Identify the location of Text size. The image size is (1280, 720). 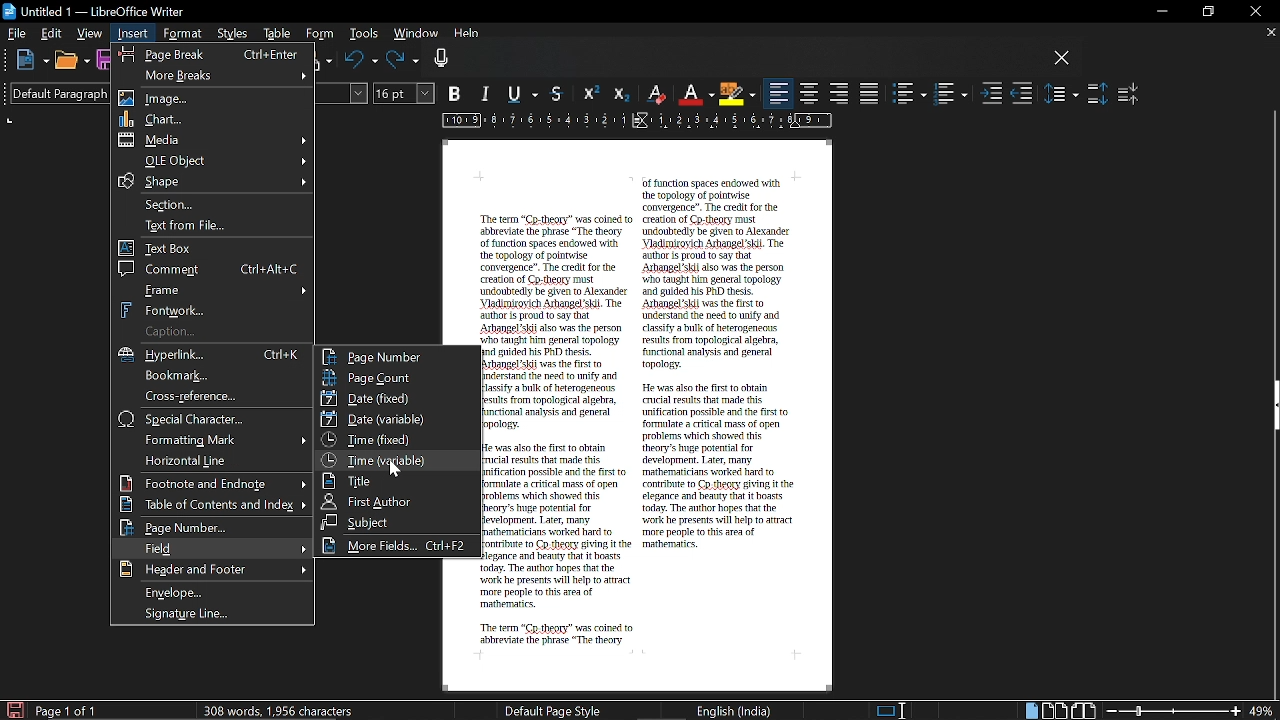
(405, 93).